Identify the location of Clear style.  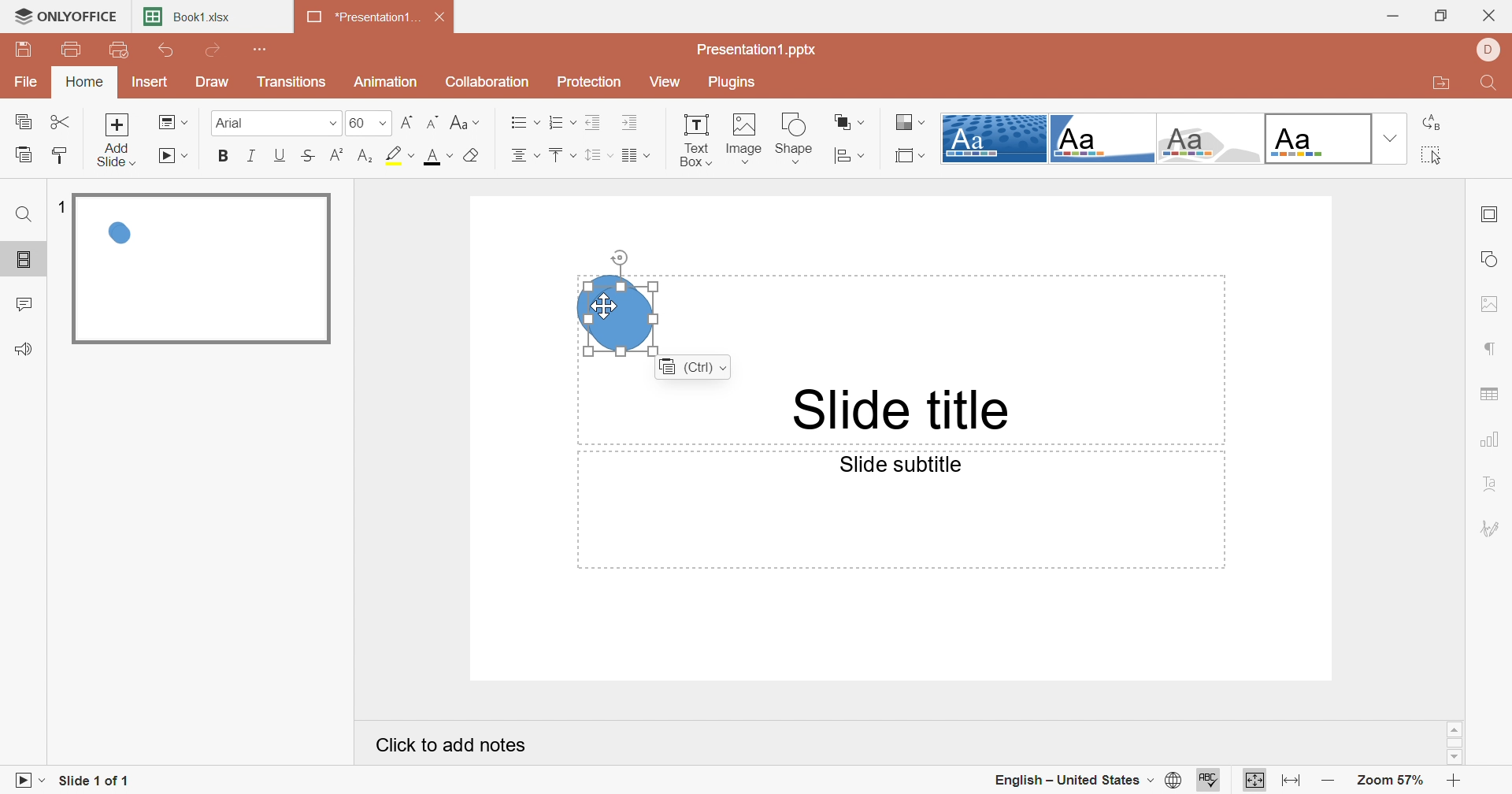
(473, 157).